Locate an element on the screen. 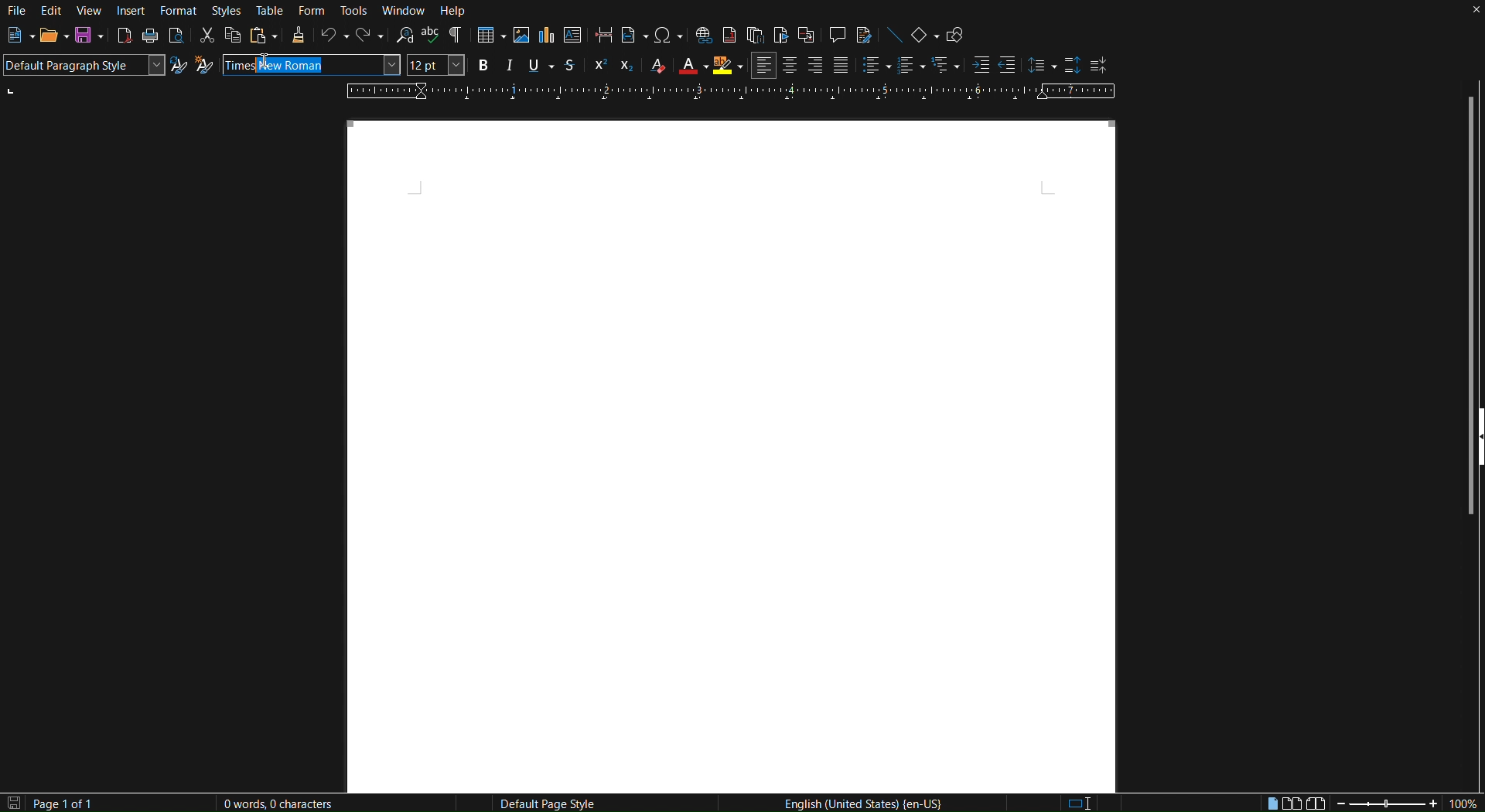 The height and width of the screenshot is (812, 1485). Styles is located at coordinates (224, 11).